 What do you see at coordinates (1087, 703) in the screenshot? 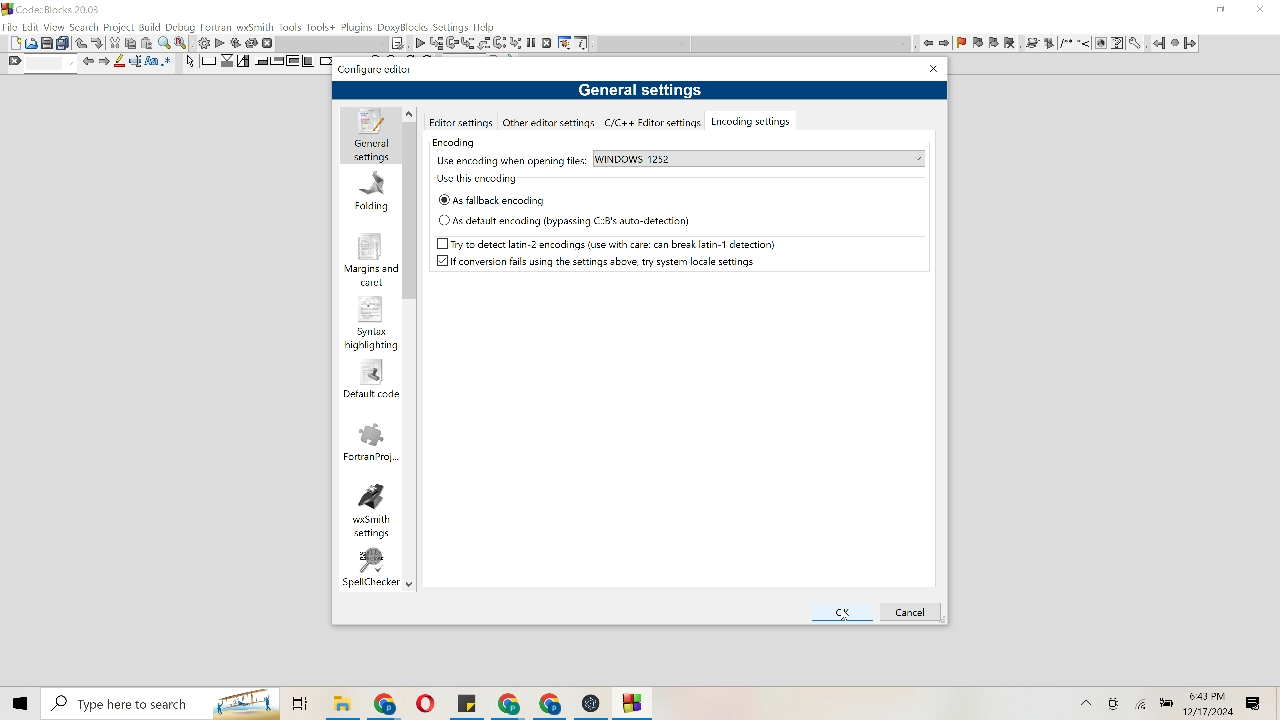
I see `More` at bounding box center [1087, 703].